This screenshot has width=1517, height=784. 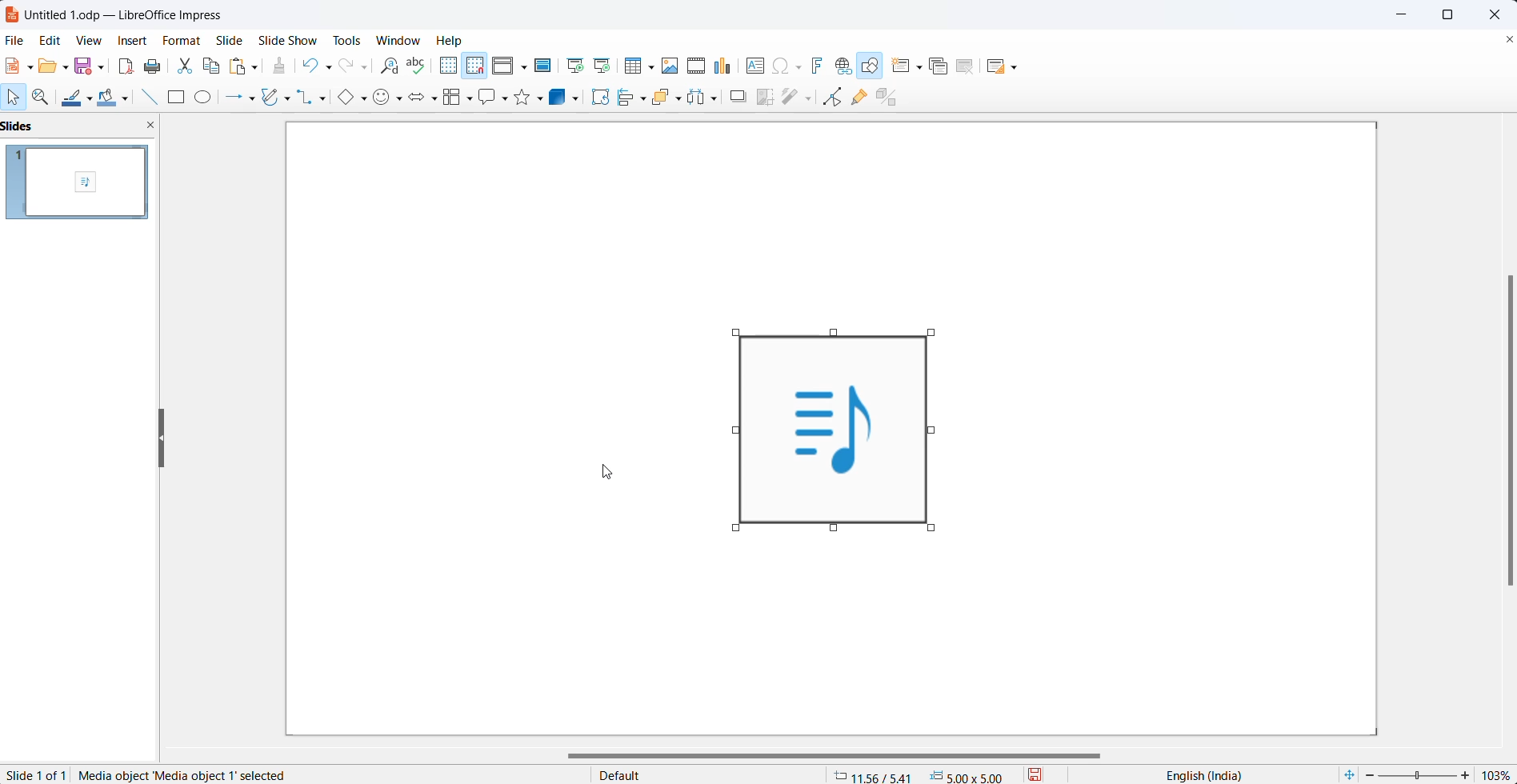 What do you see at coordinates (151, 98) in the screenshot?
I see `insert tool` at bounding box center [151, 98].